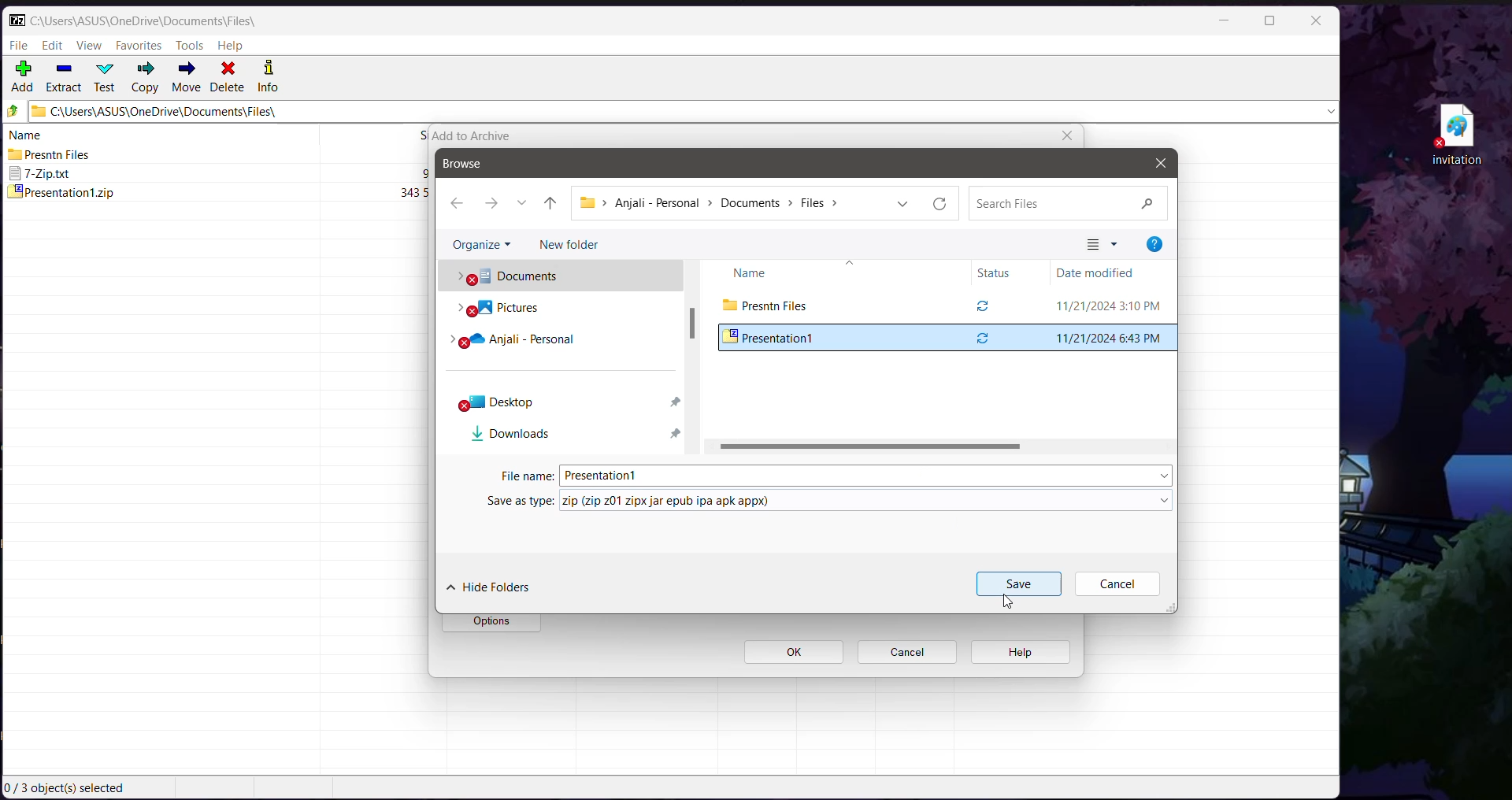  What do you see at coordinates (897, 203) in the screenshot?
I see `Previous locations` at bounding box center [897, 203].